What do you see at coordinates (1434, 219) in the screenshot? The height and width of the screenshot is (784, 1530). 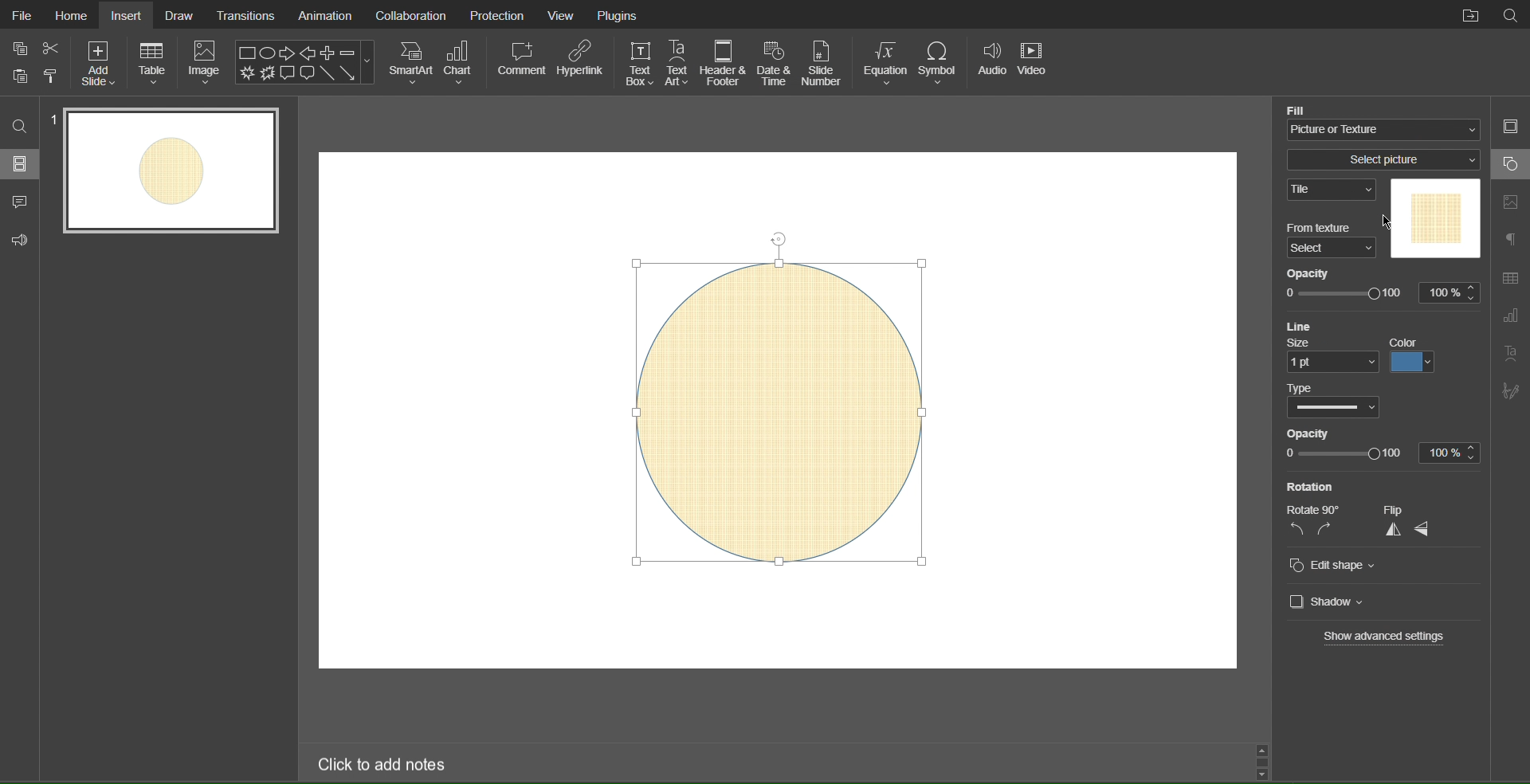 I see `Texture` at bounding box center [1434, 219].